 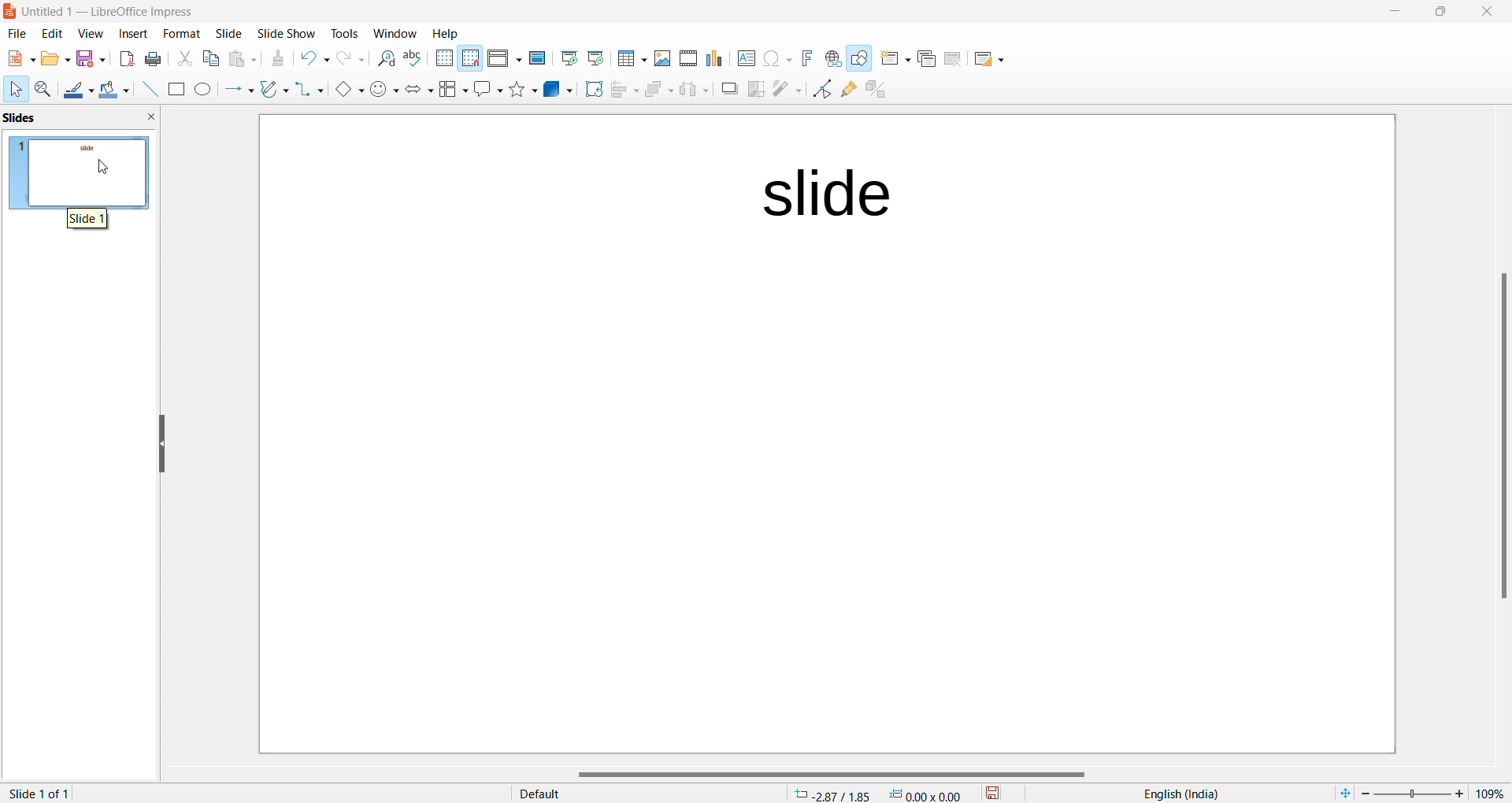 I want to click on view, so click(x=87, y=35).